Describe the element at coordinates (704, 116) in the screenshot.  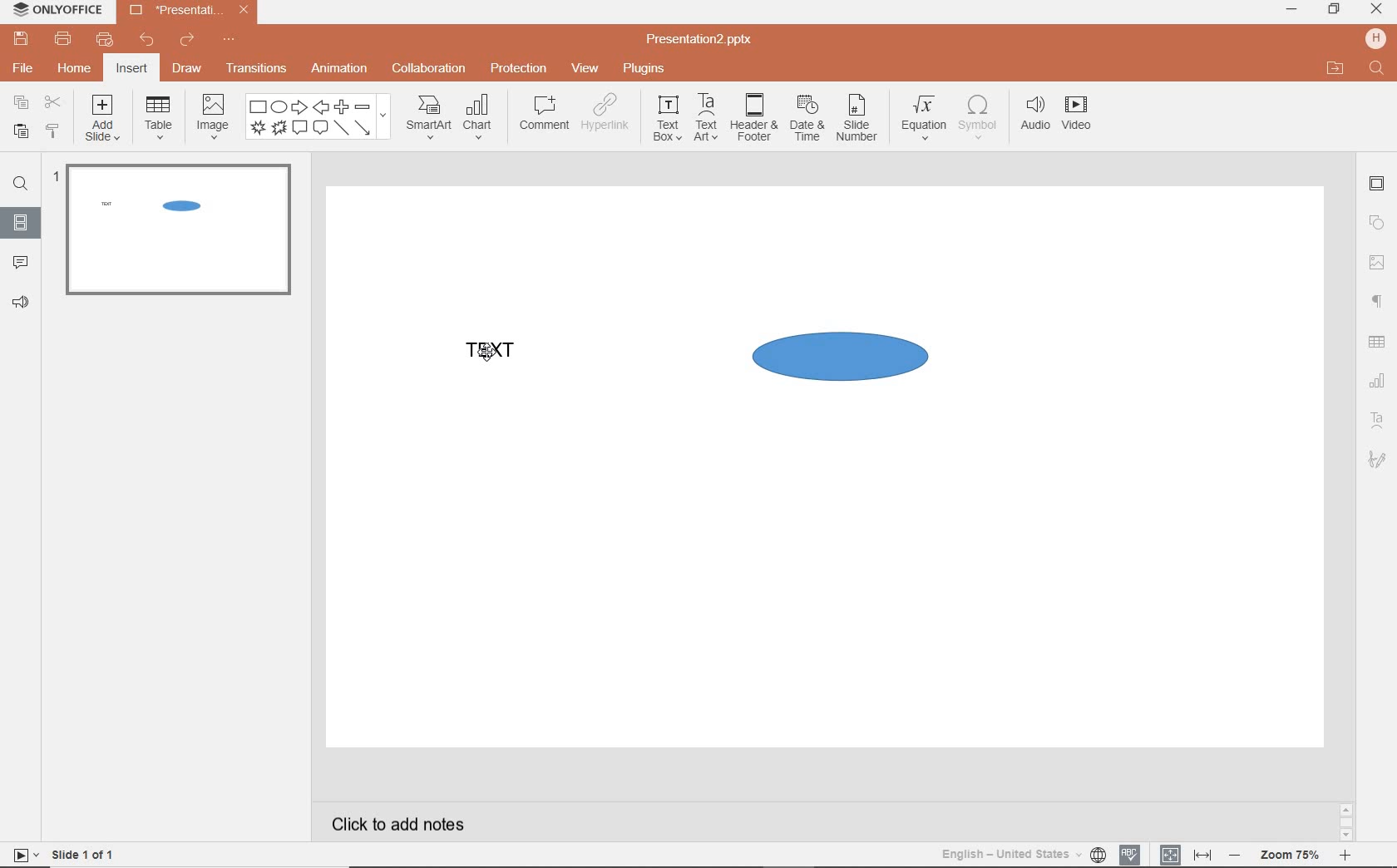
I see `textart` at that location.